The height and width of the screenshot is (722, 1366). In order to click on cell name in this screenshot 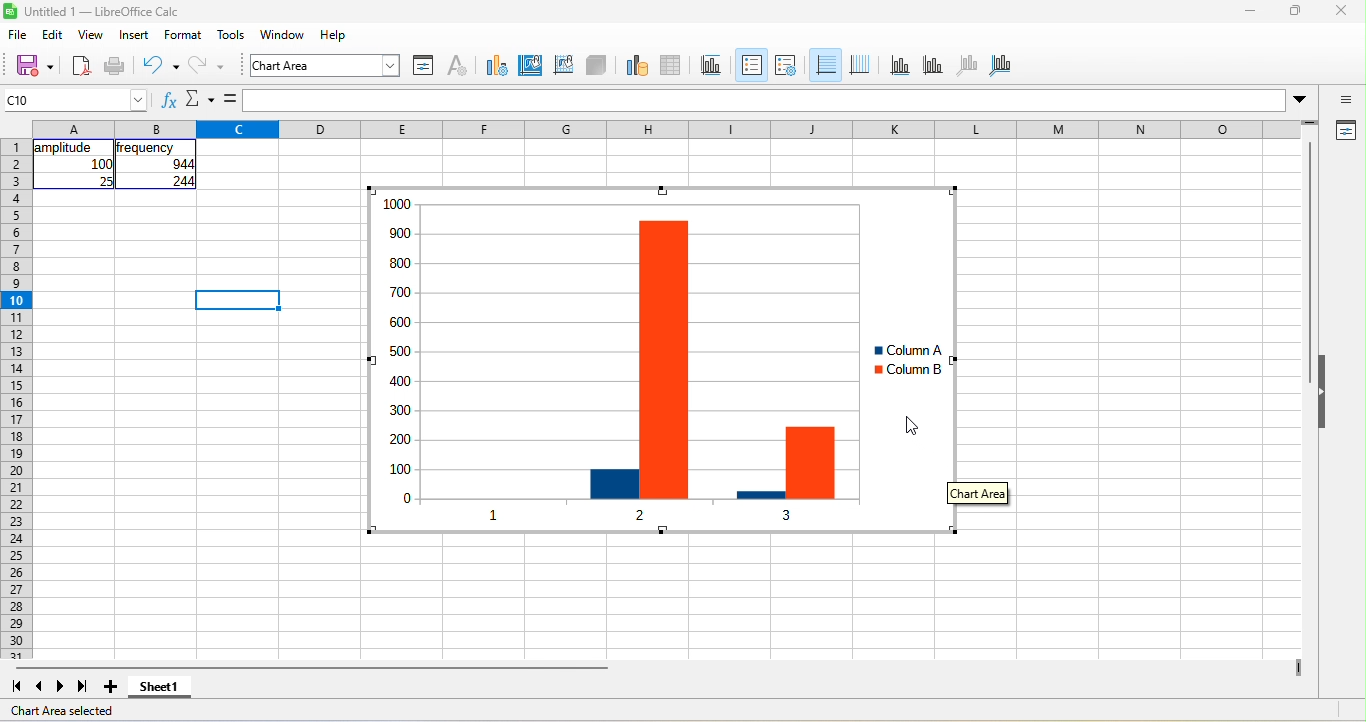, I will do `click(74, 100)`.